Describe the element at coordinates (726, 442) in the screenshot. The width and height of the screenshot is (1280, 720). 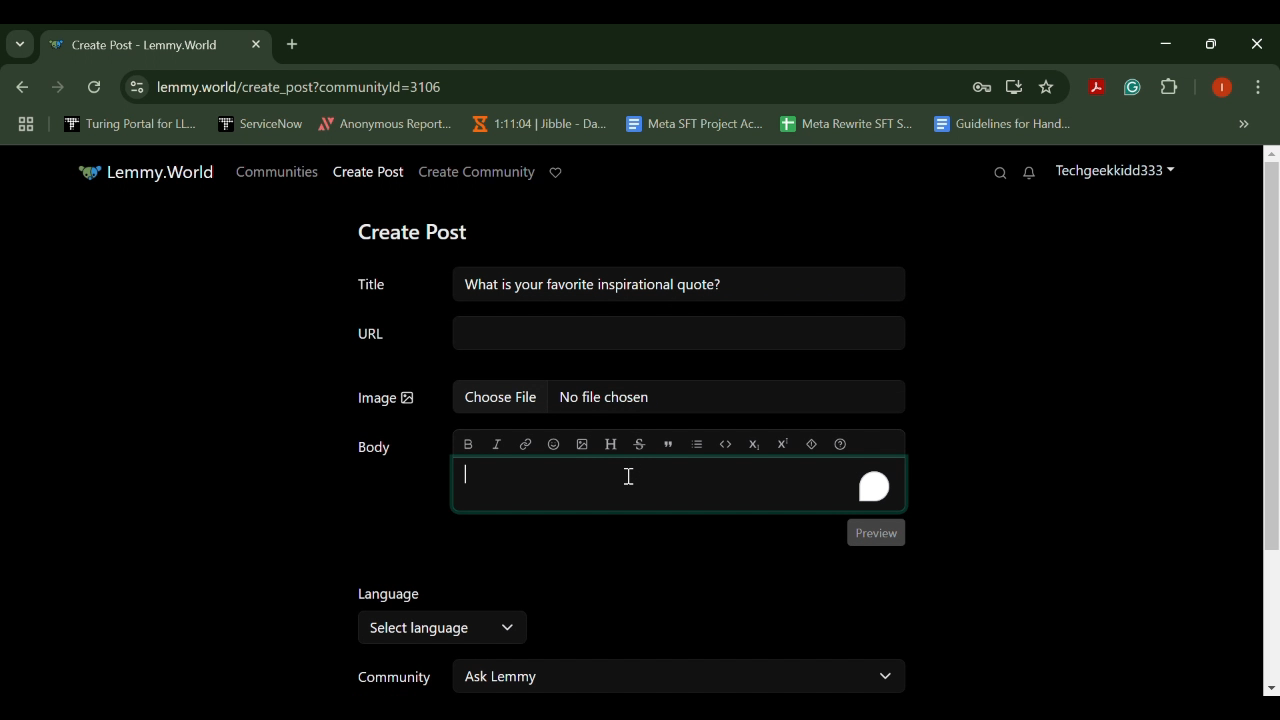
I see `code ` at that location.